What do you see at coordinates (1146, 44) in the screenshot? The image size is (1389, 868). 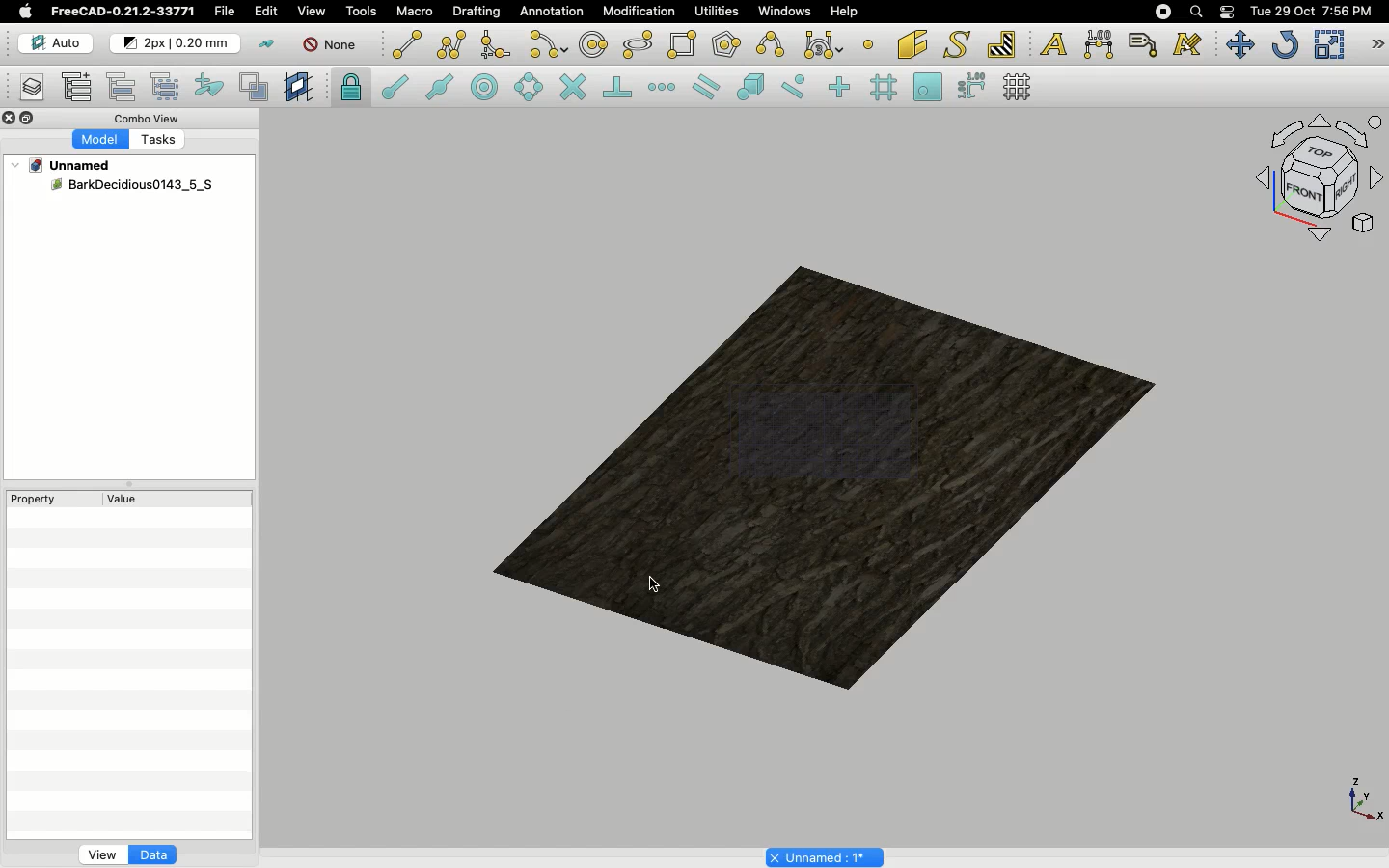 I see `Label` at bounding box center [1146, 44].